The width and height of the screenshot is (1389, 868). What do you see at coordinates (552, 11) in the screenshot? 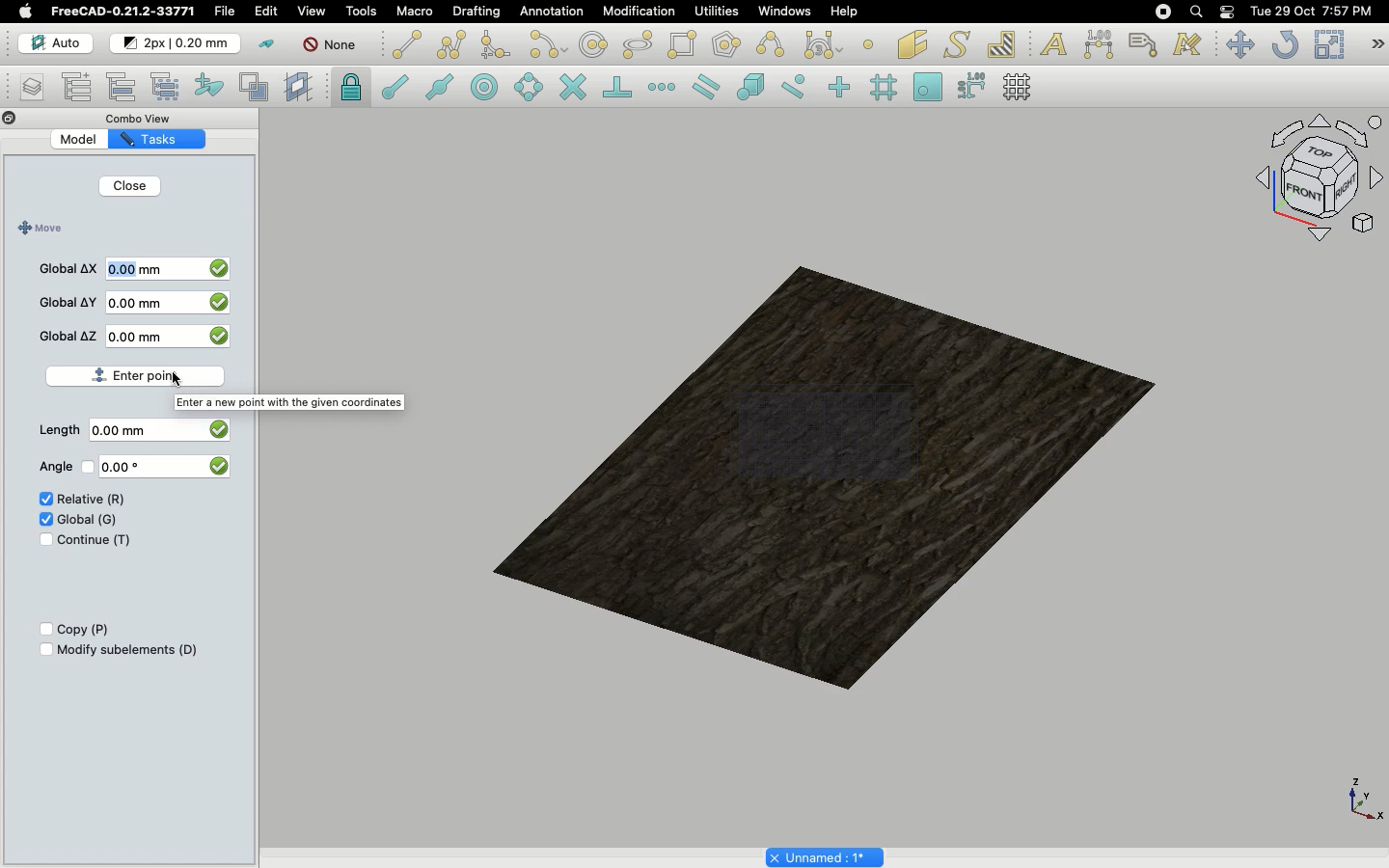
I see `Annotation` at bounding box center [552, 11].